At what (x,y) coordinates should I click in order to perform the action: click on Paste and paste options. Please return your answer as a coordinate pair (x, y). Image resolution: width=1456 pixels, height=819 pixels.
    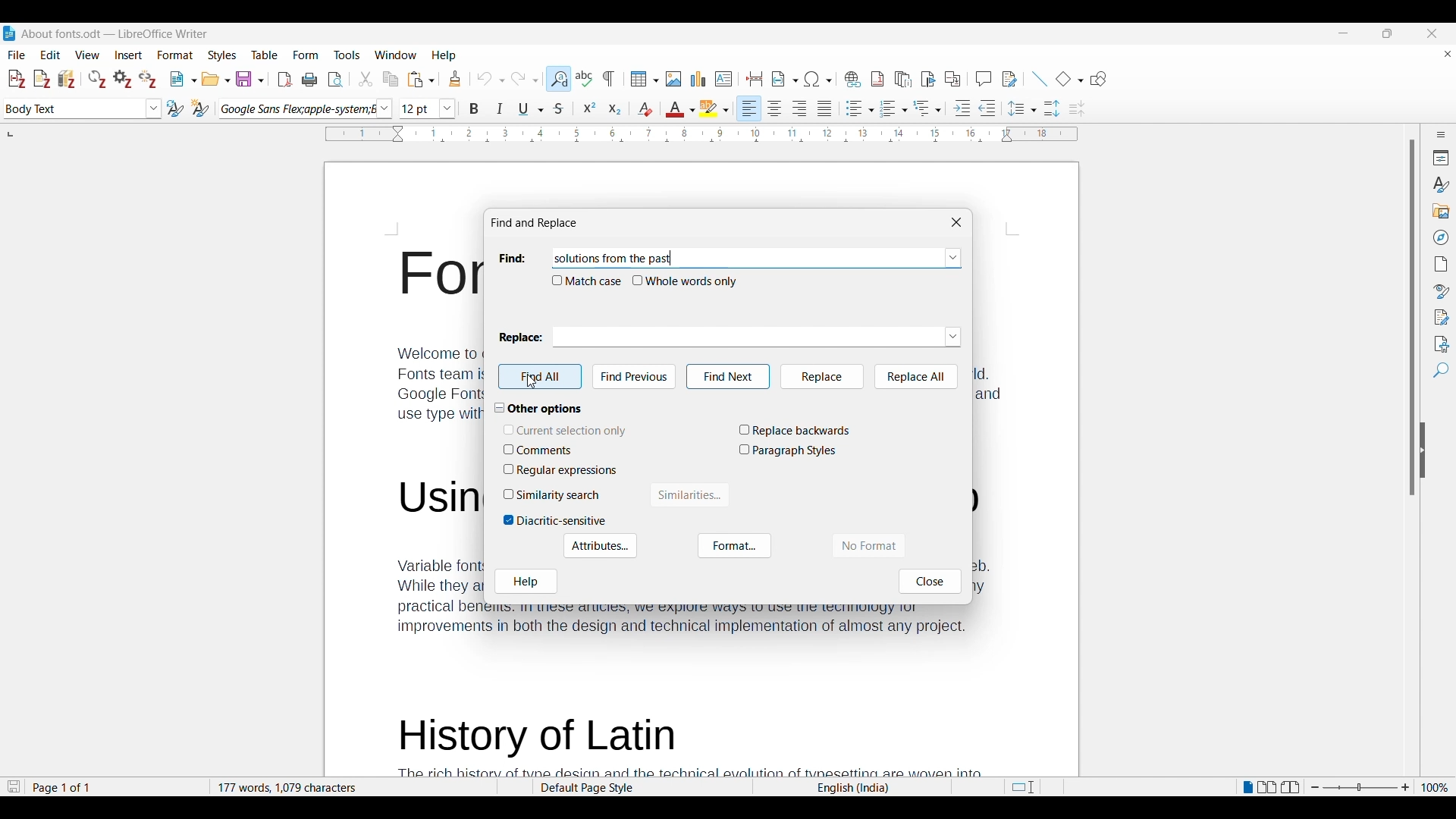
    Looking at the image, I should click on (422, 80).